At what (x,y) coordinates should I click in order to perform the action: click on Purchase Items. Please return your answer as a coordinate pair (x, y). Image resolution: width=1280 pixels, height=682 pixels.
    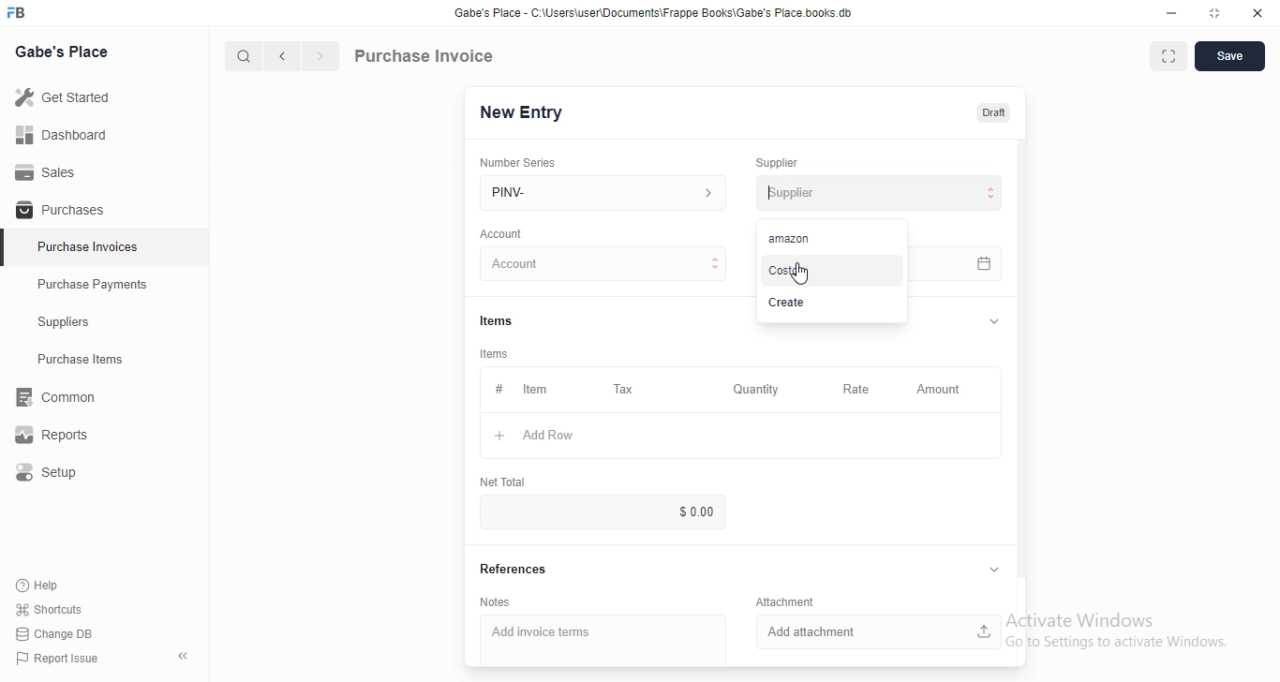
    Looking at the image, I should click on (105, 359).